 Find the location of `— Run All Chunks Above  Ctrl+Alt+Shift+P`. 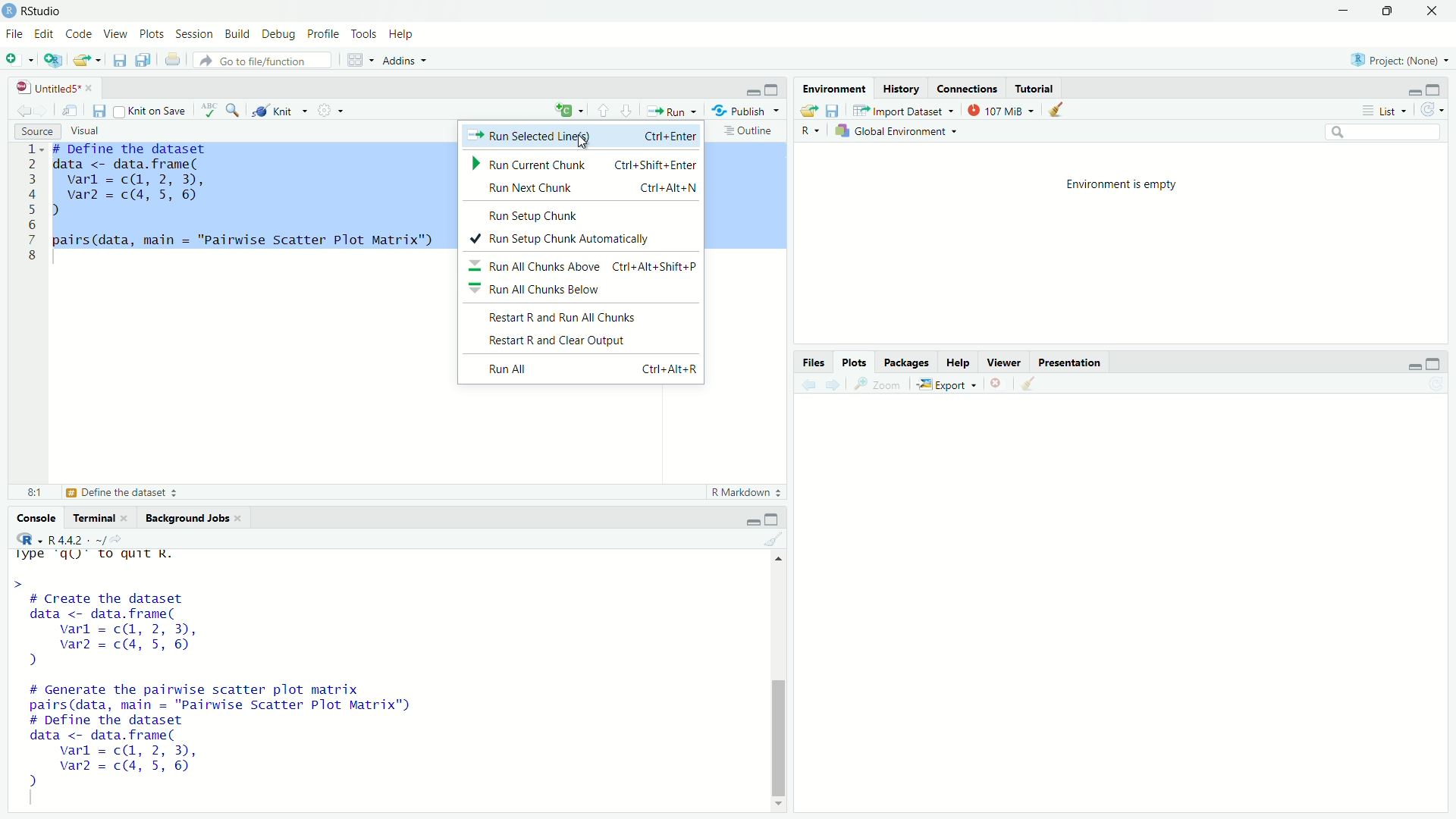

— Run All Chunks Above  Ctrl+Alt+Shift+P is located at coordinates (583, 265).